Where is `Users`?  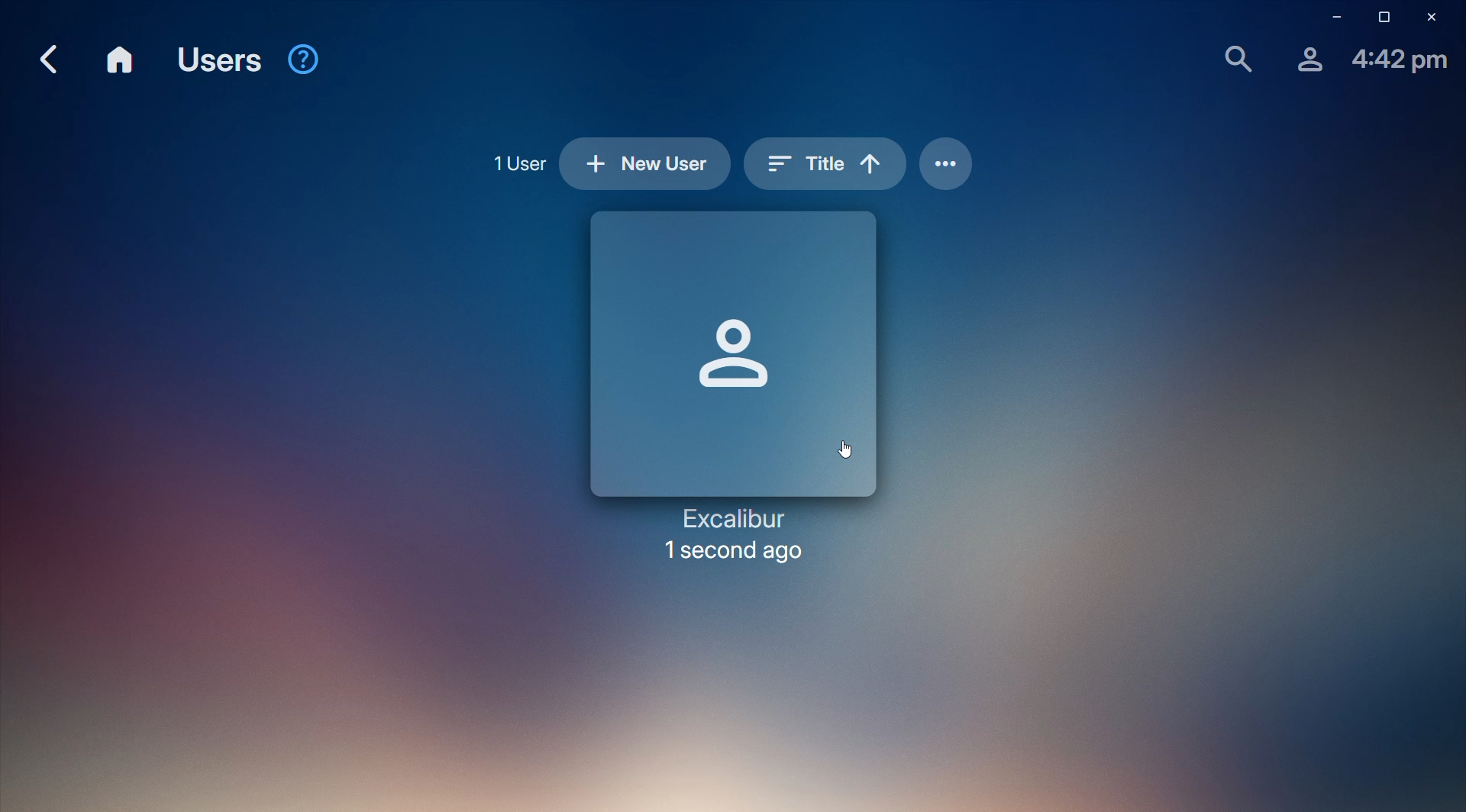
Users is located at coordinates (222, 59).